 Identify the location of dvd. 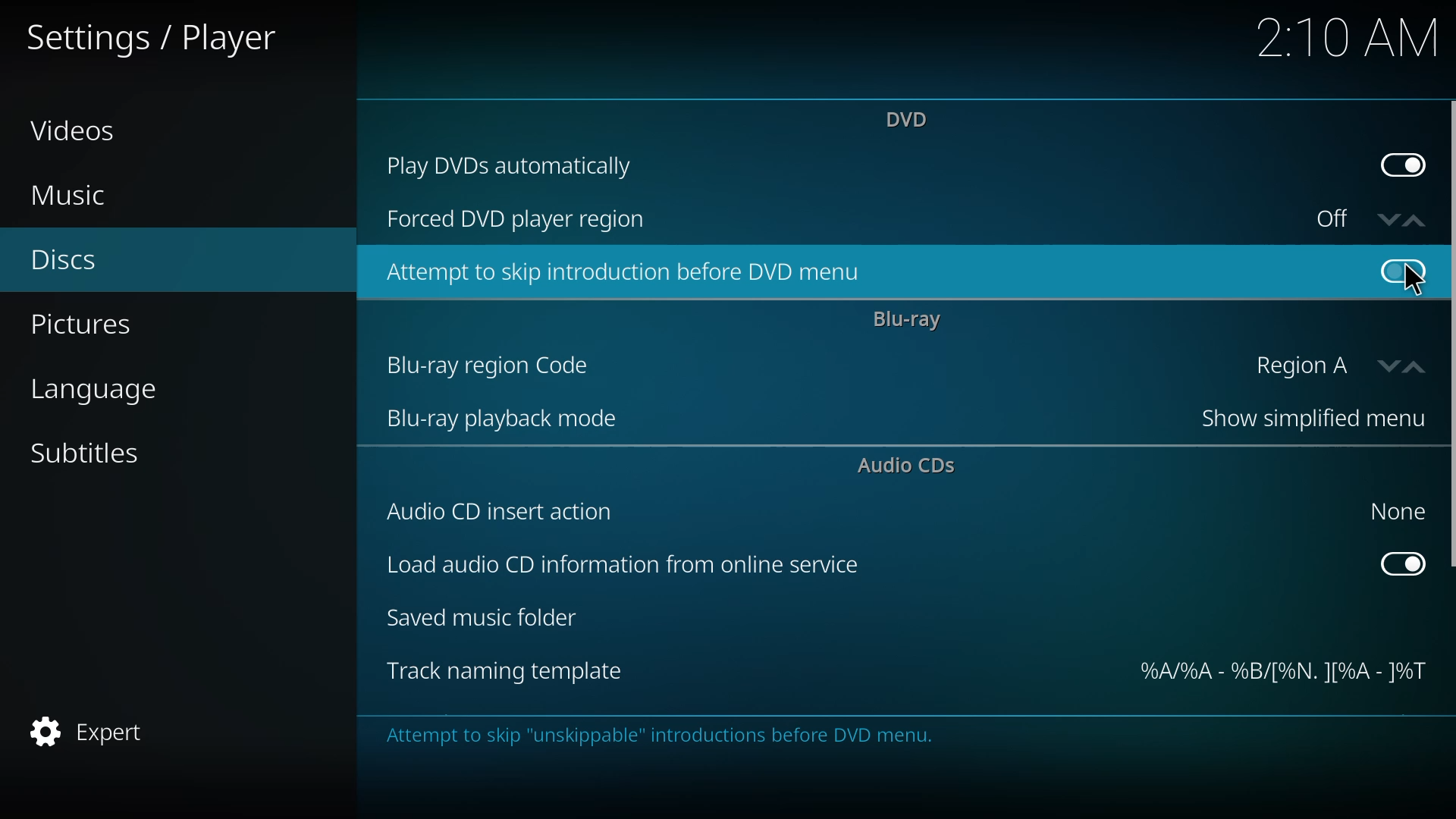
(910, 120).